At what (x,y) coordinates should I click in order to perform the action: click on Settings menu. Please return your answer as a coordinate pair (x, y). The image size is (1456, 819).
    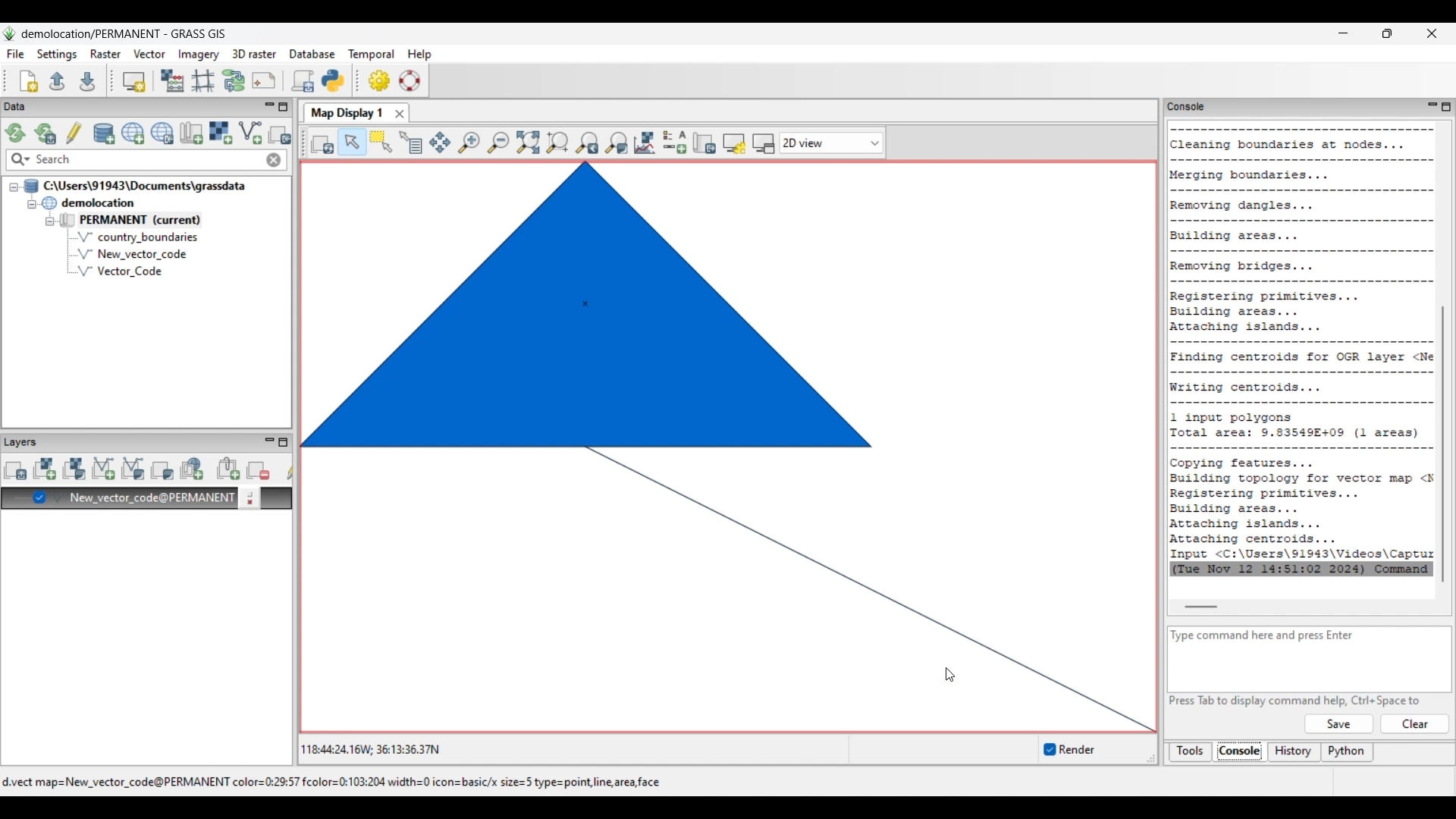
    Looking at the image, I should click on (57, 55).